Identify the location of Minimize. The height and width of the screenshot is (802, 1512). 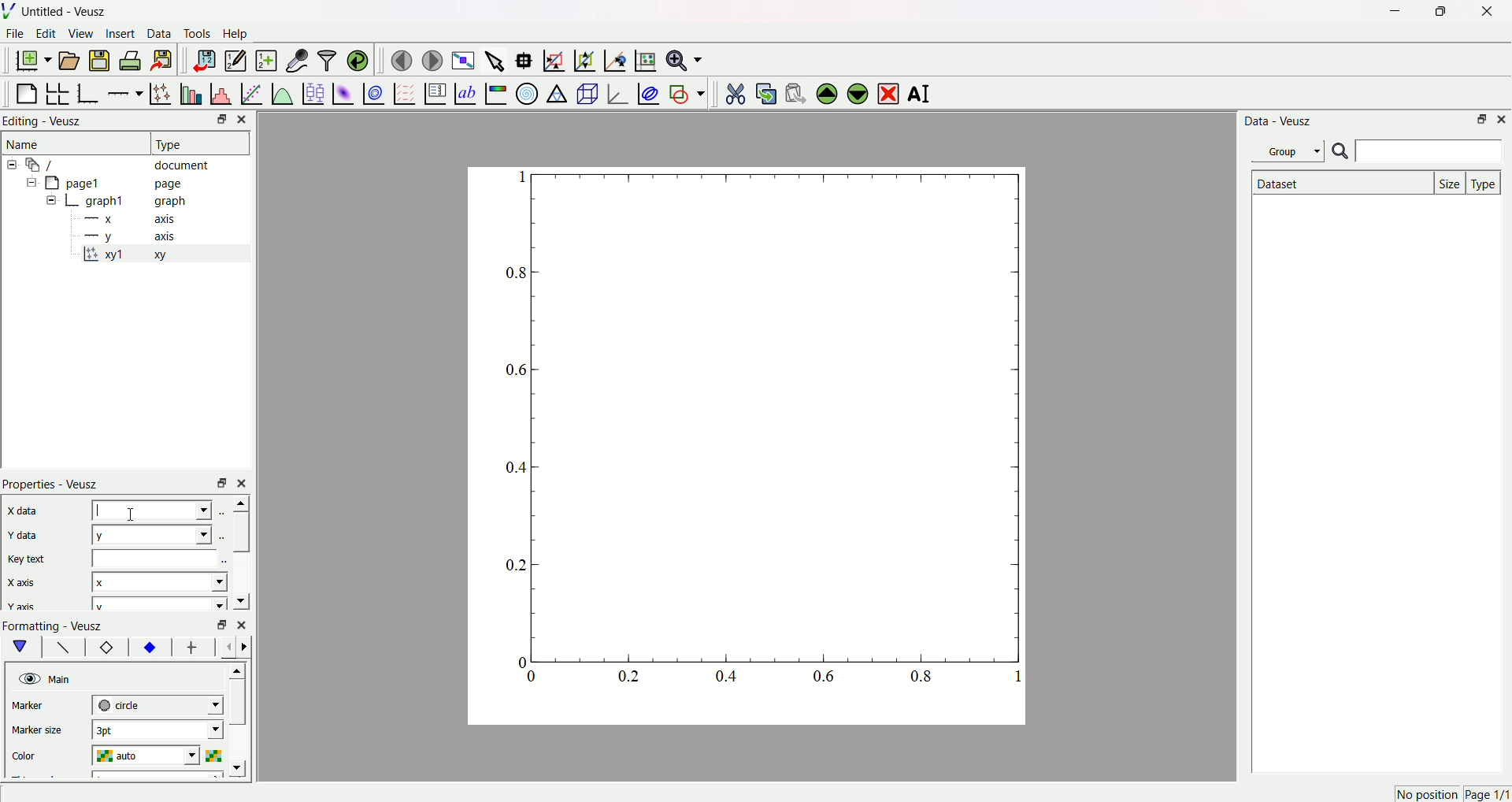
(217, 121).